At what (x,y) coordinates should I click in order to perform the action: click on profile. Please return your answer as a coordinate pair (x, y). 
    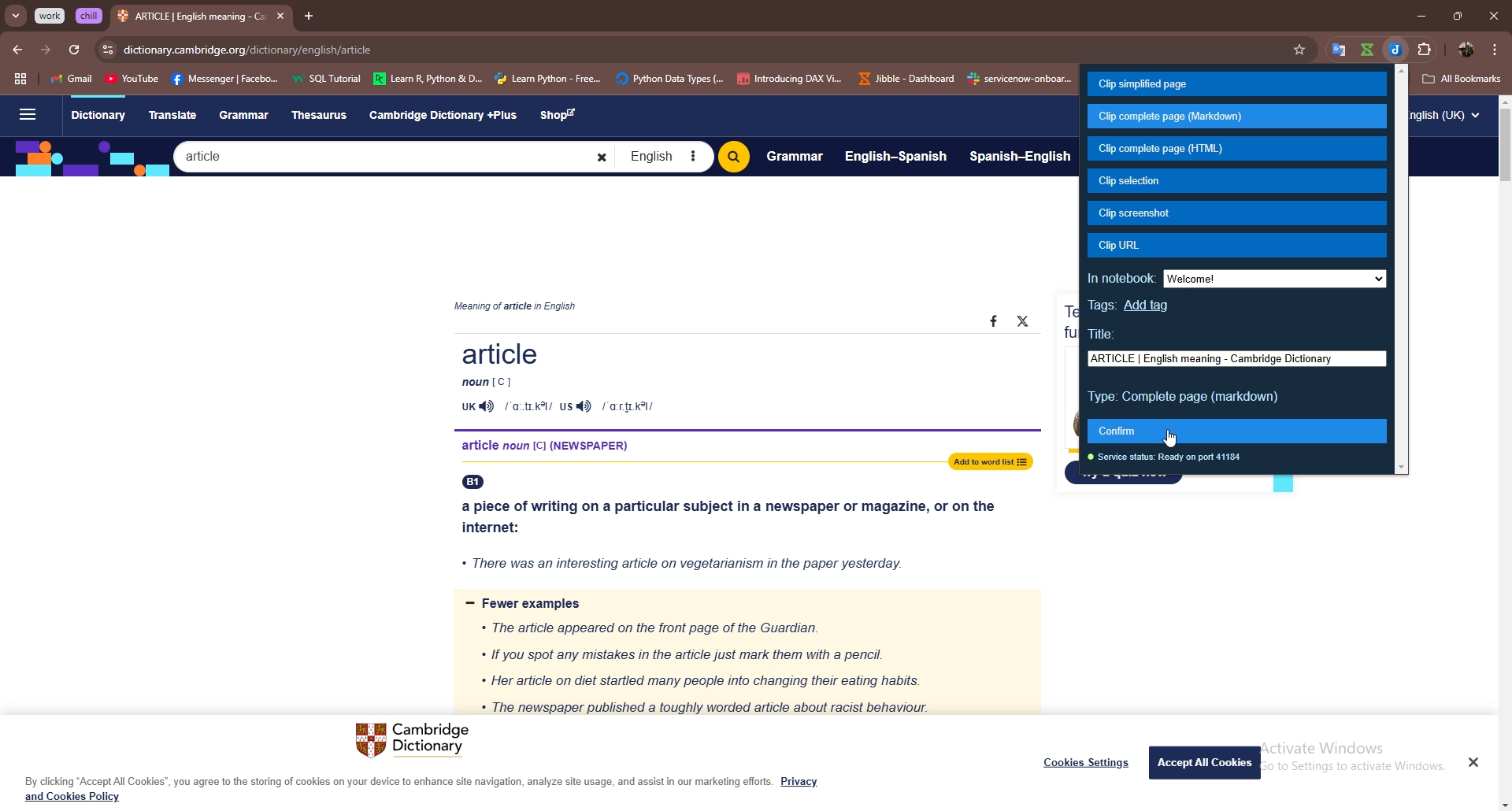
    Looking at the image, I should click on (1467, 50).